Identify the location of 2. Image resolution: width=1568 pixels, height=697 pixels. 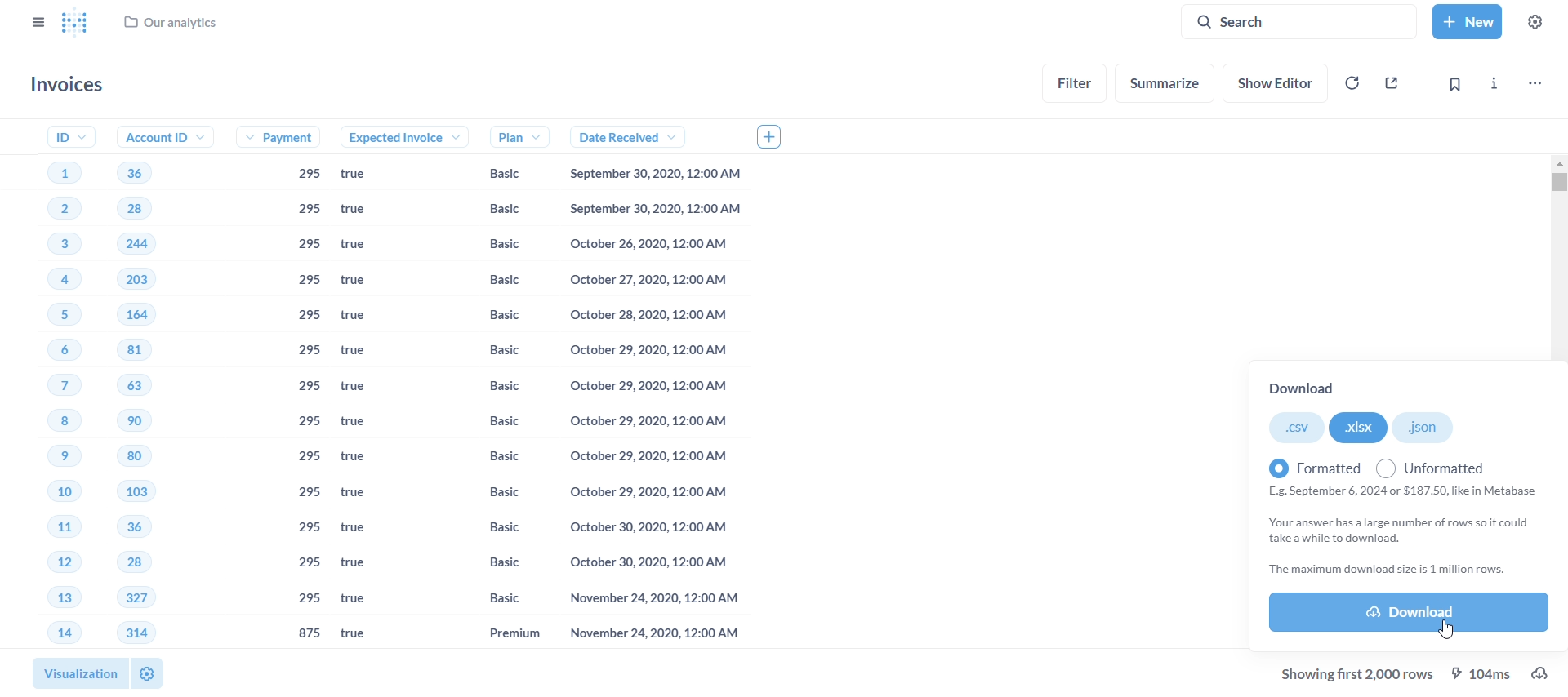
(52, 211).